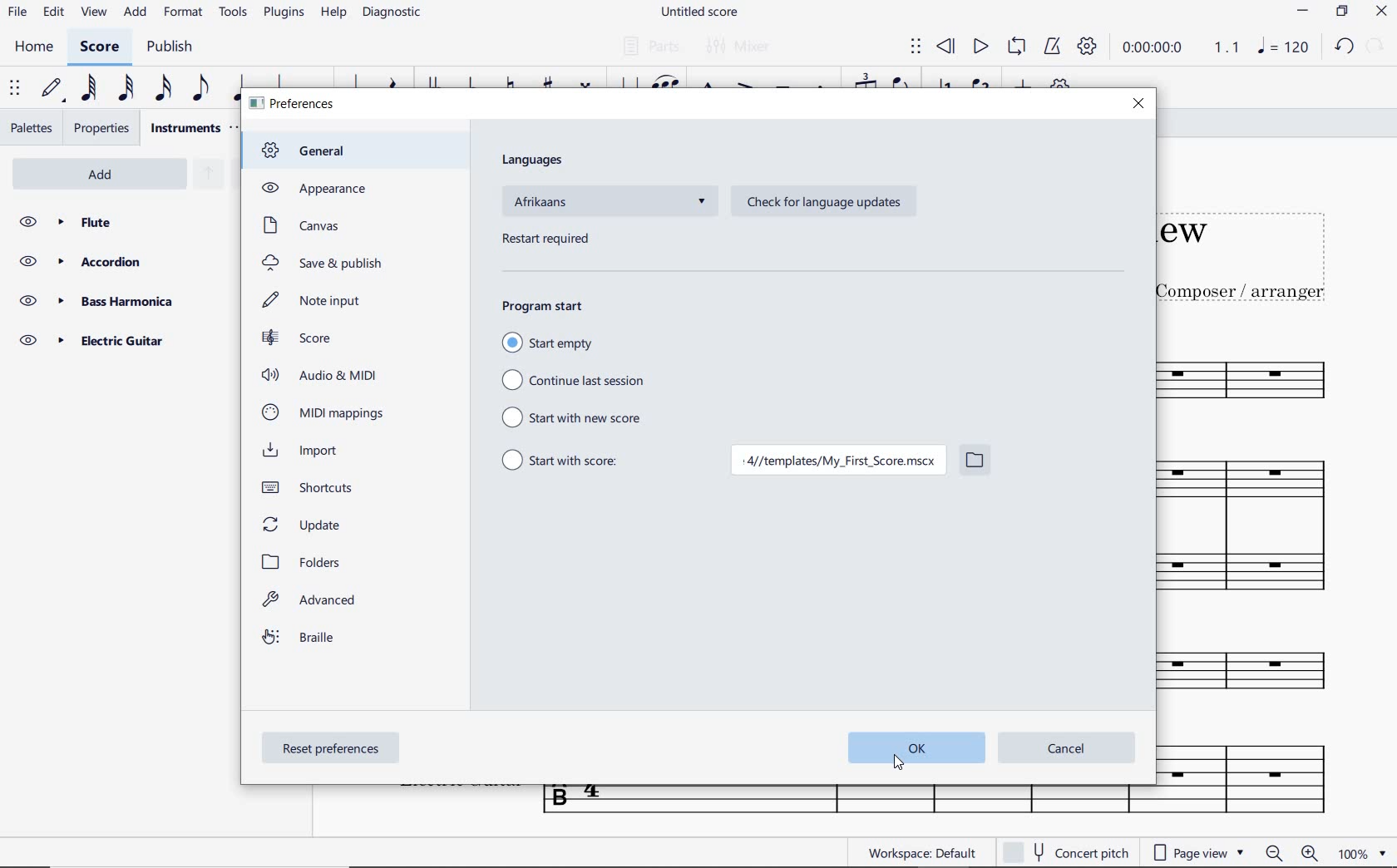 The image size is (1397, 868). Describe the element at coordinates (1261, 248) in the screenshot. I see `Title` at that location.